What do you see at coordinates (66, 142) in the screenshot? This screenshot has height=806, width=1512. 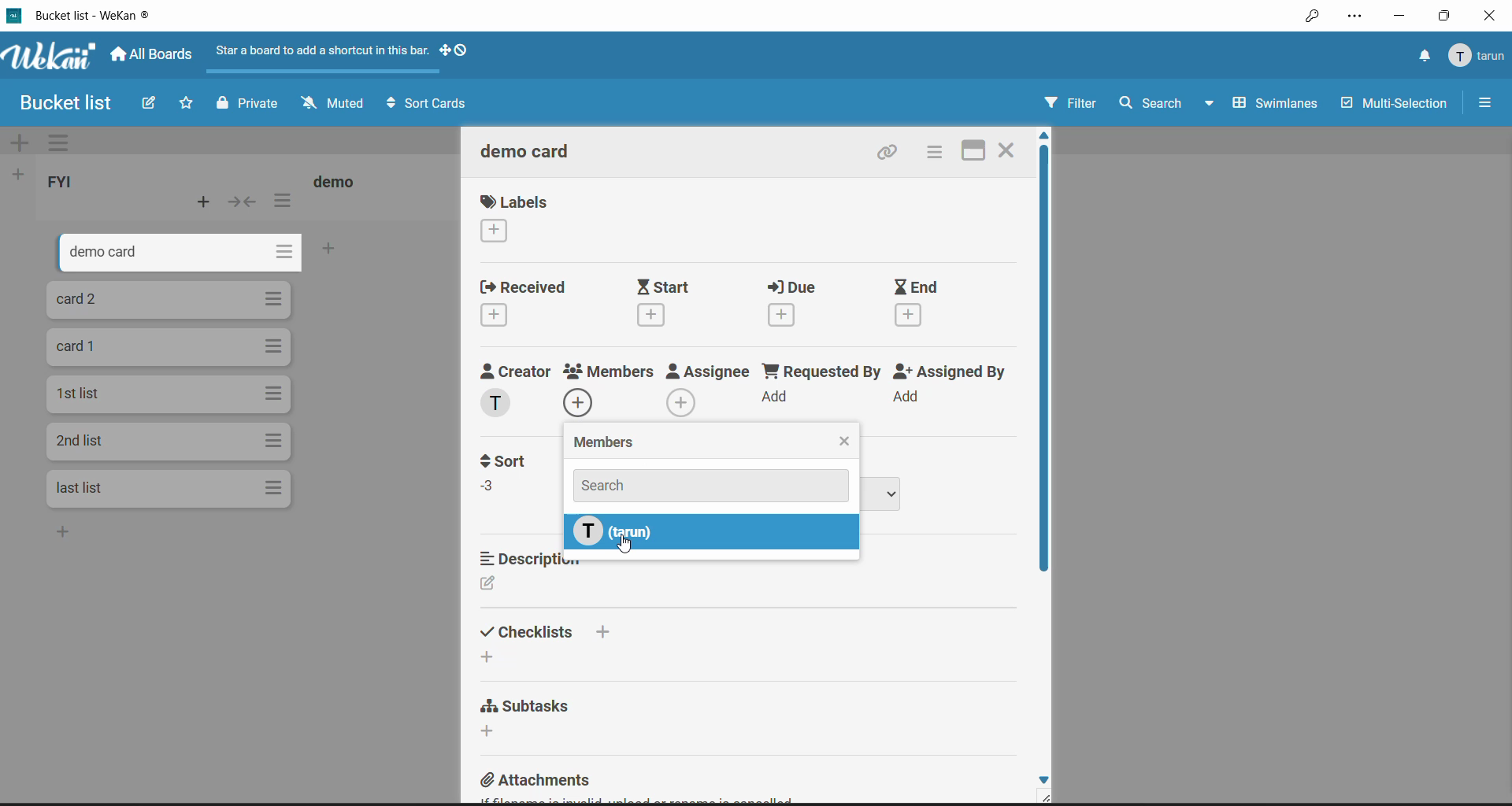 I see `swimlane actions` at bounding box center [66, 142].